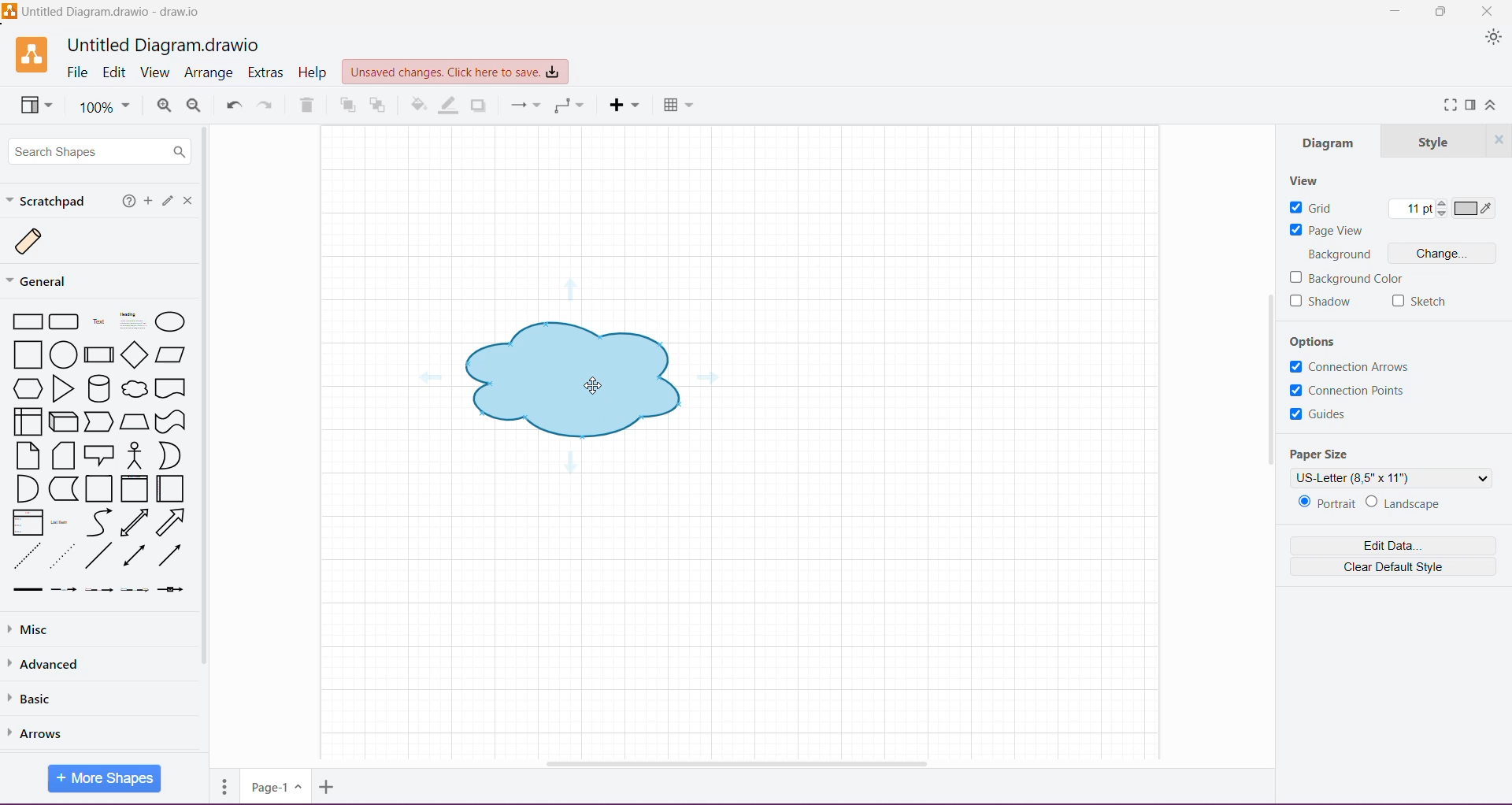 The image size is (1512, 805). I want to click on Scratchpad, so click(49, 201).